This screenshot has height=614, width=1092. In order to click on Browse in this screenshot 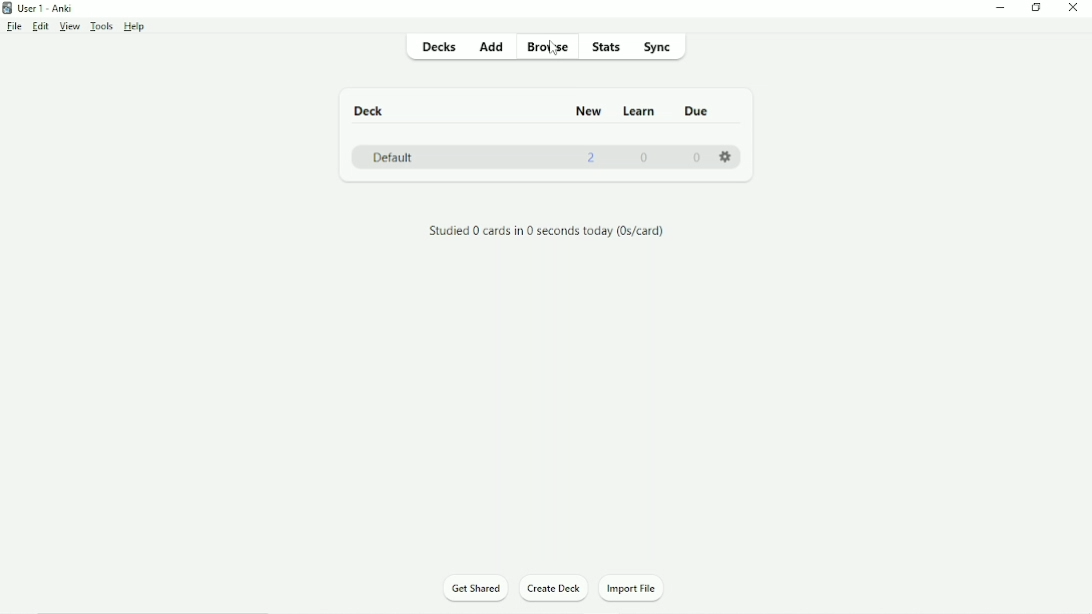, I will do `click(545, 45)`.